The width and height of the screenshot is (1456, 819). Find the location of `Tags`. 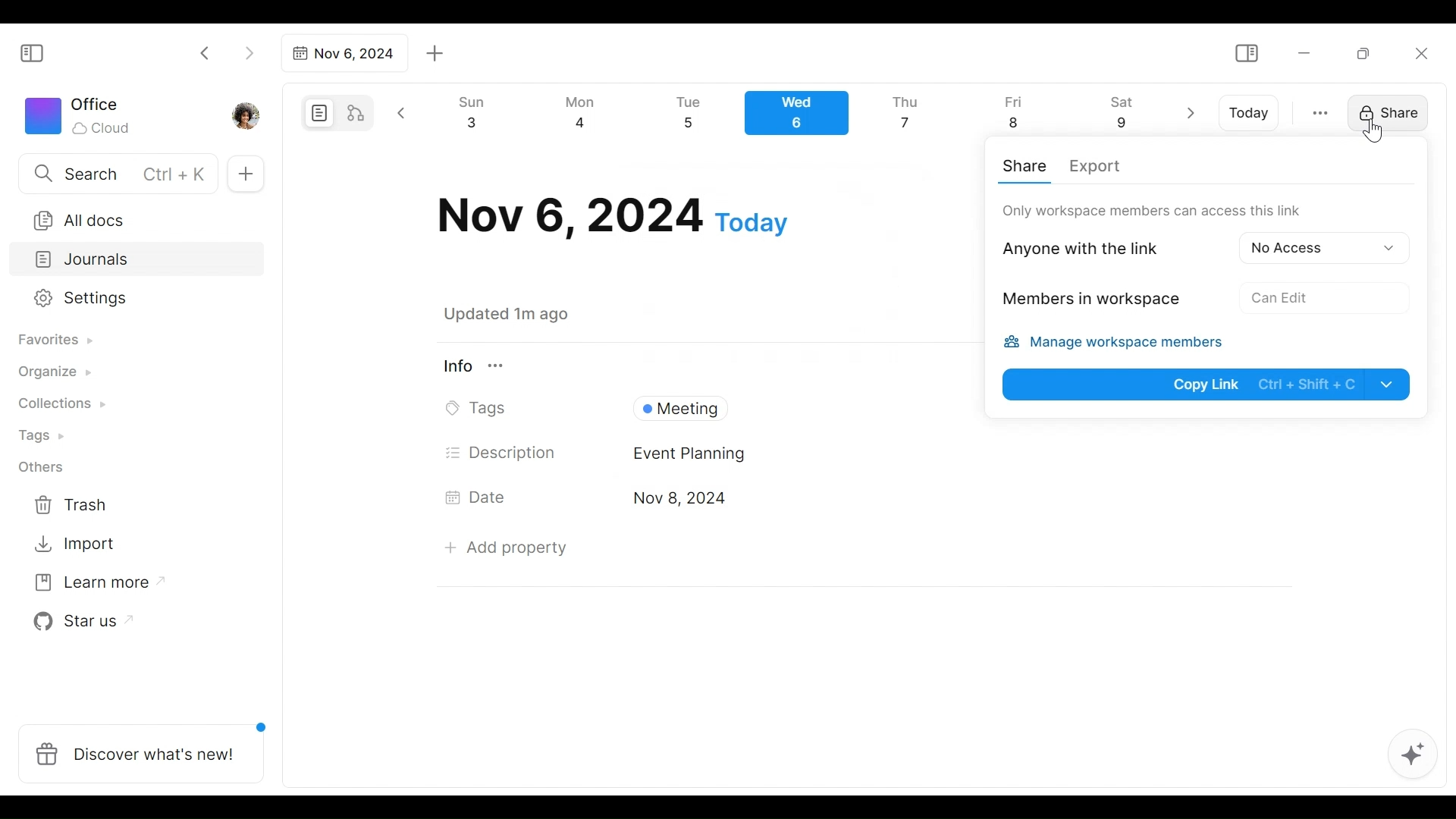

Tags is located at coordinates (480, 409).